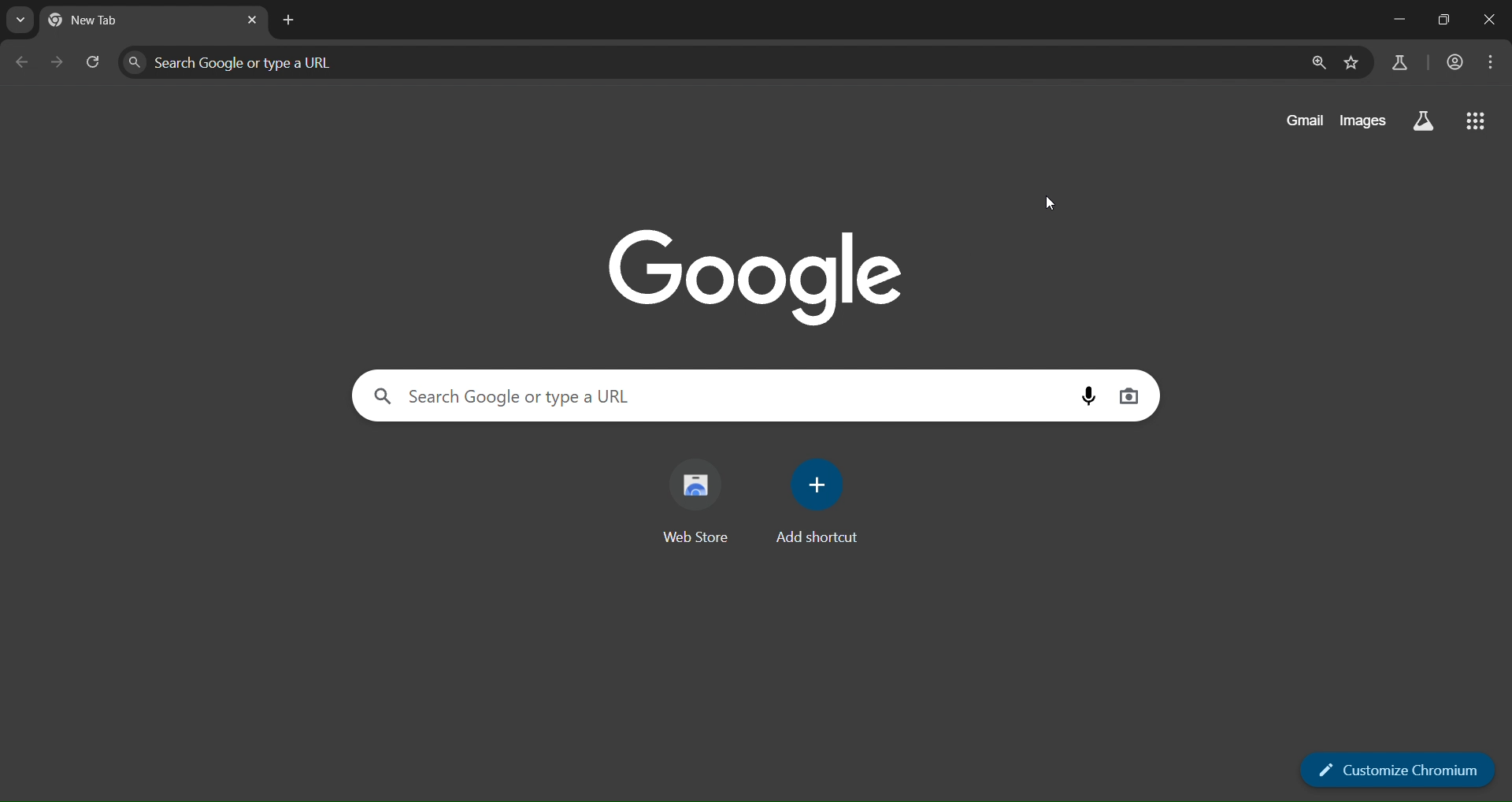 The image size is (1512, 802). What do you see at coordinates (1480, 121) in the screenshot?
I see `google apps` at bounding box center [1480, 121].